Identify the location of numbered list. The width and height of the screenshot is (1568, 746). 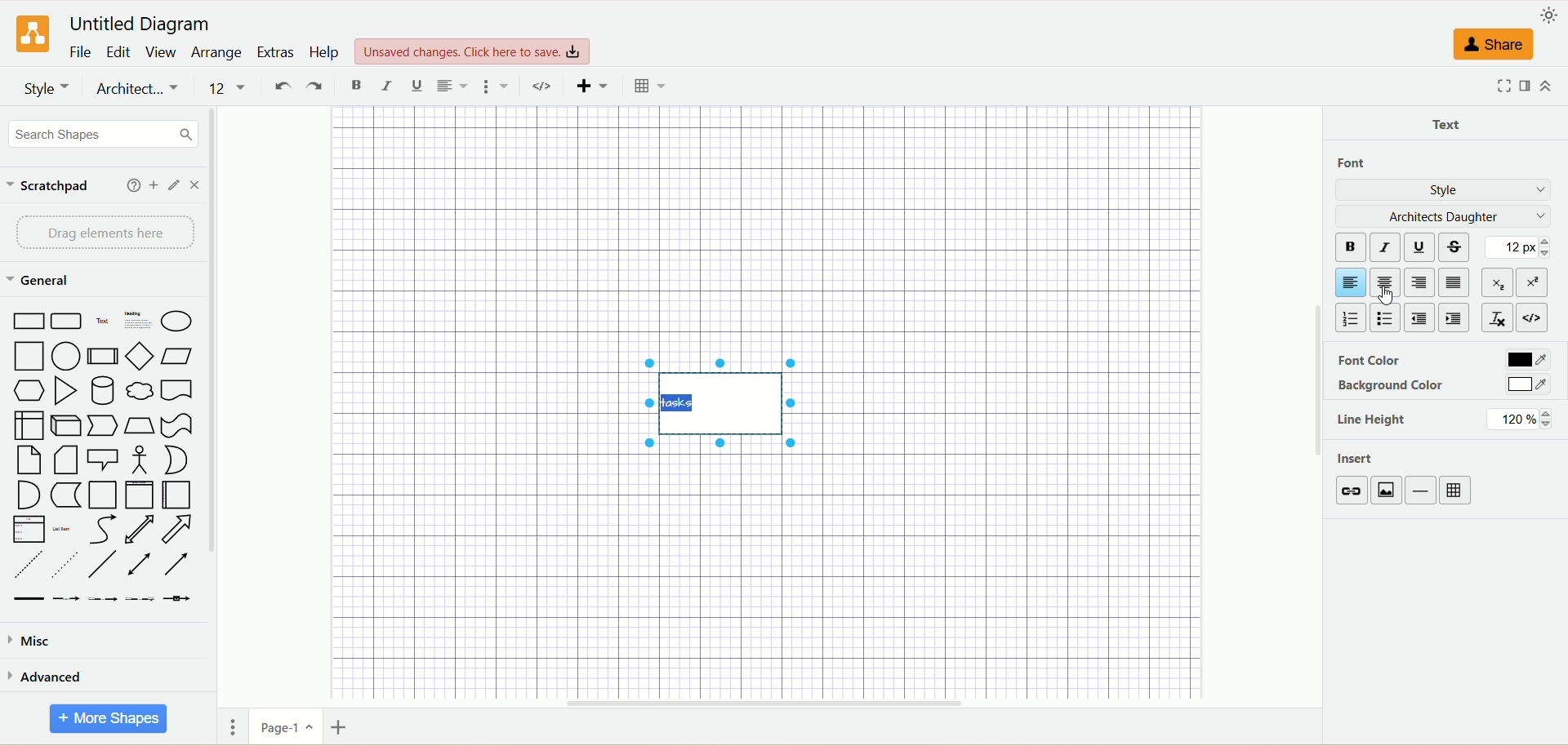
(1349, 318).